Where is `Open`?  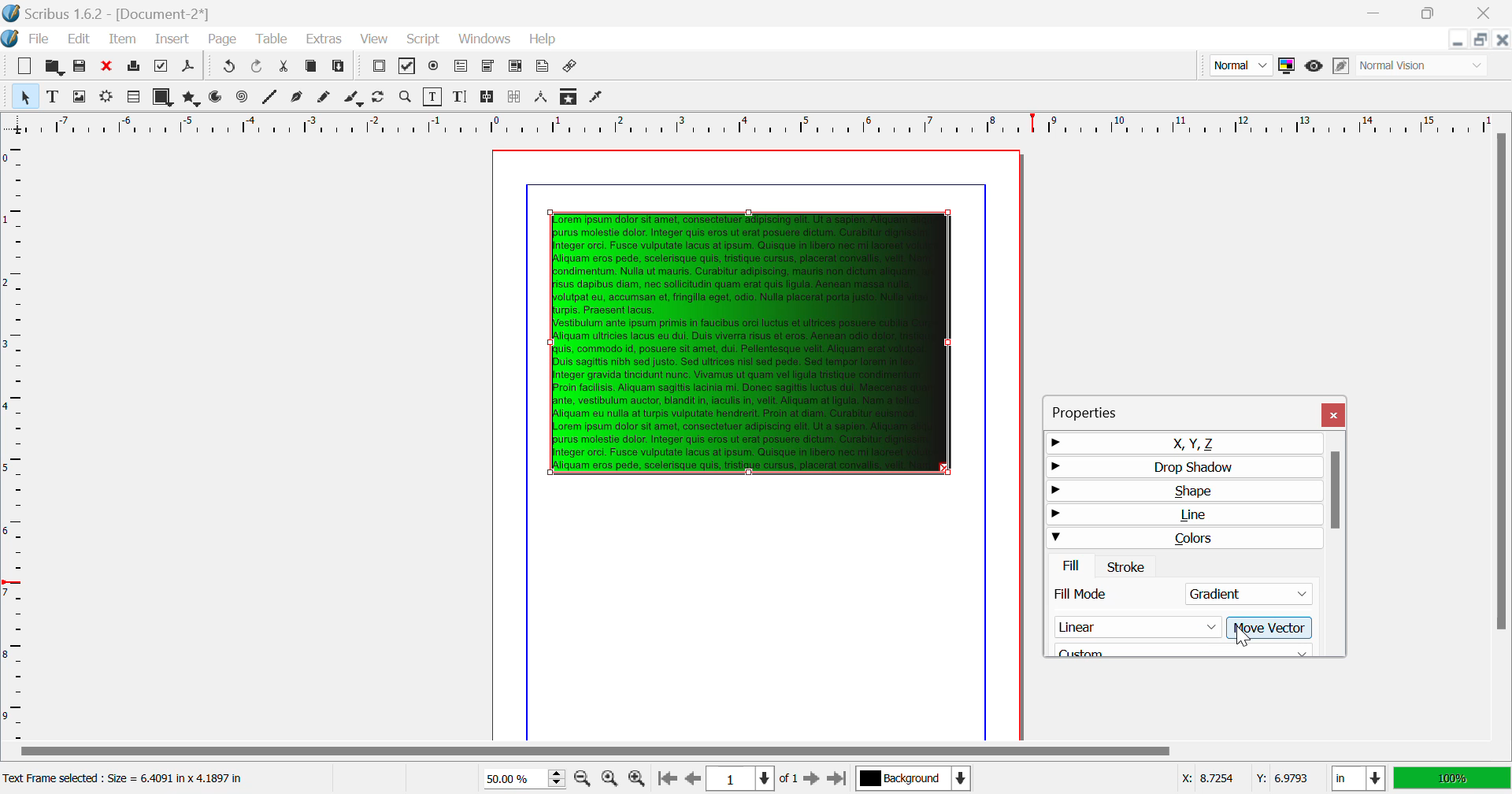
Open is located at coordinates (54, 65).